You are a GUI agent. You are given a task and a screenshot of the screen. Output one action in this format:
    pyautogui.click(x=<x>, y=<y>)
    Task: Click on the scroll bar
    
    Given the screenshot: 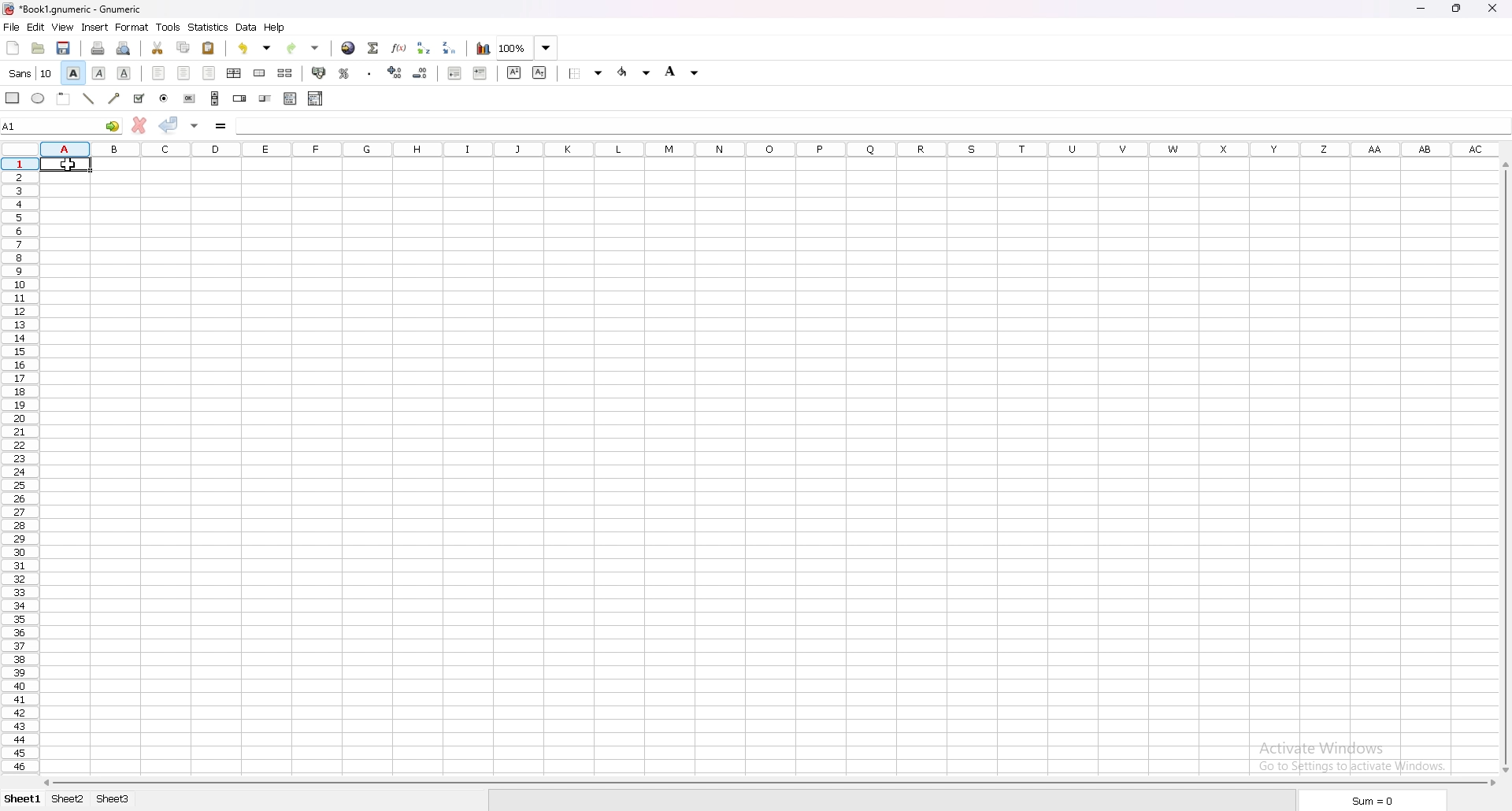 What is the action you would take?
    pyautogui.click(x=769, y=782)
    